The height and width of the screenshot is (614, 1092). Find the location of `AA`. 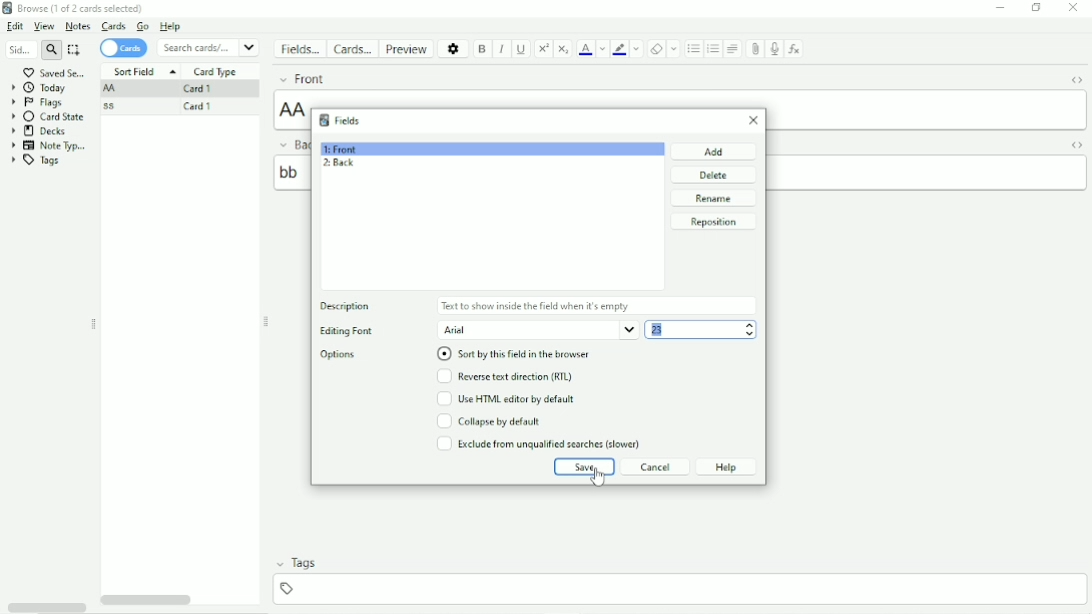

AA is located at coordinates (112, 89).